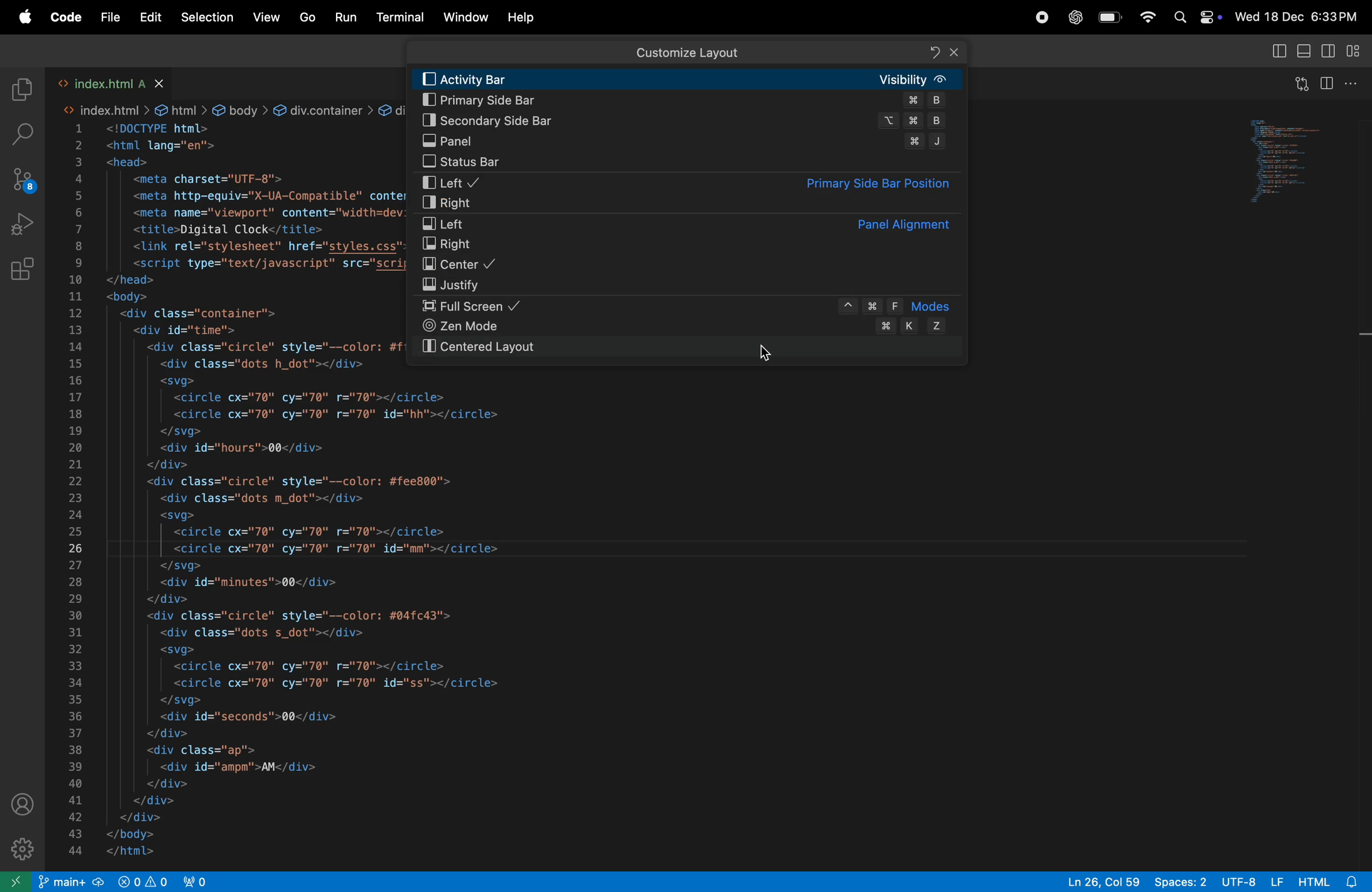 The image size is (1372, 892). I want to click on ln26, col 59 , so click(1099, 880).